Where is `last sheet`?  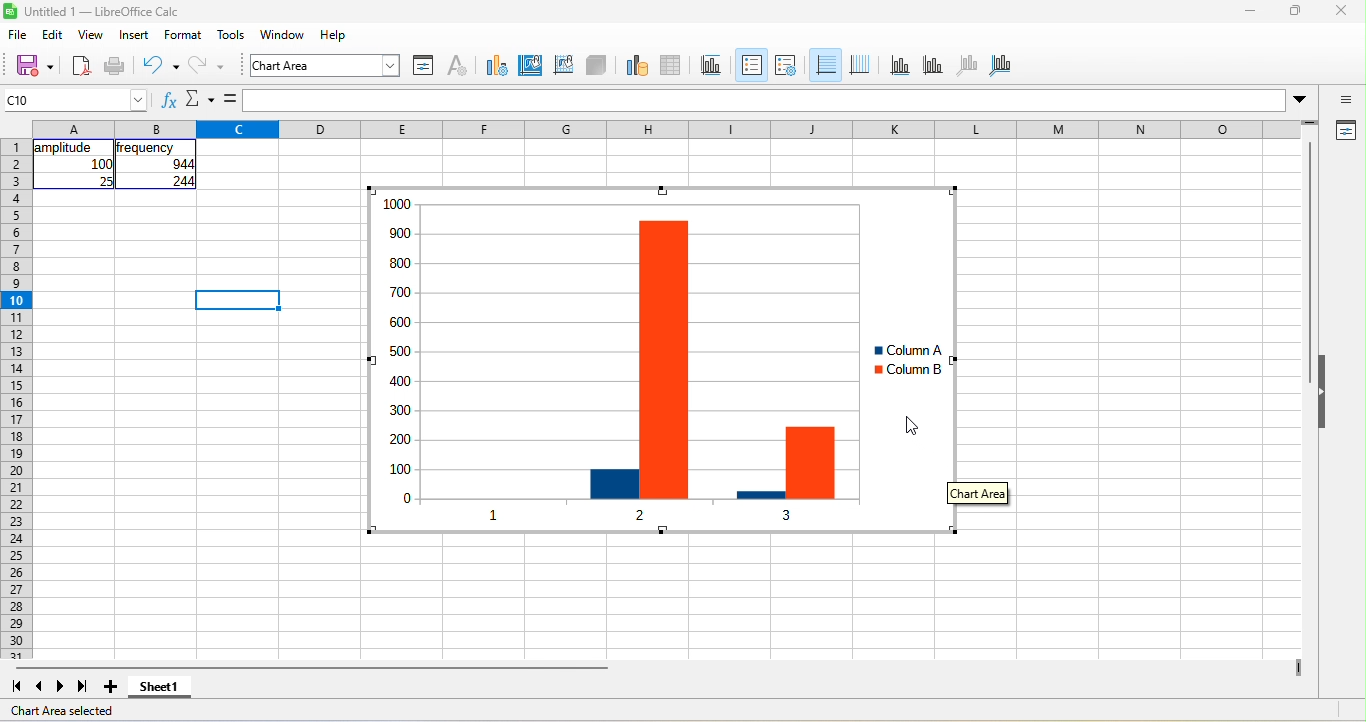 last sheet is located at coordinates (83, 687).